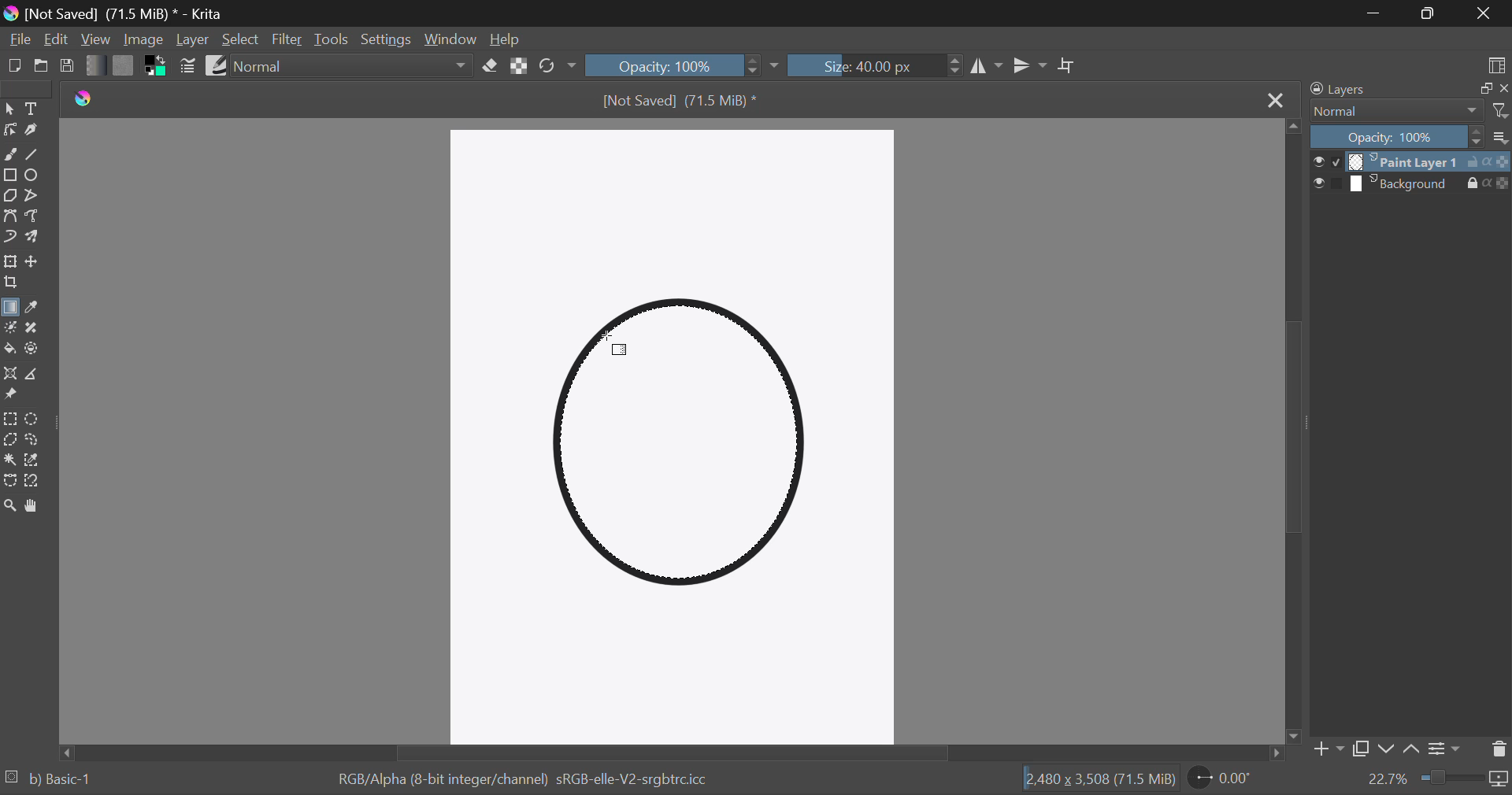 The height and width of the screenshot is (795, 1512). I want to click on Open, so click(41, 66).